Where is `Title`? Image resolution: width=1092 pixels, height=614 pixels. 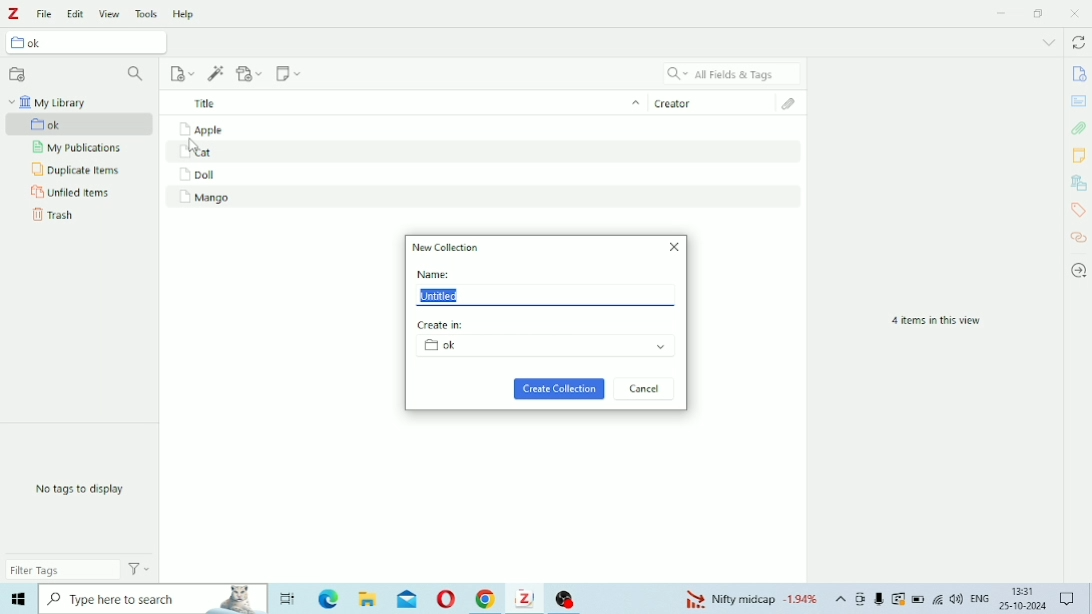
Title is located at coordinates (403, 102).